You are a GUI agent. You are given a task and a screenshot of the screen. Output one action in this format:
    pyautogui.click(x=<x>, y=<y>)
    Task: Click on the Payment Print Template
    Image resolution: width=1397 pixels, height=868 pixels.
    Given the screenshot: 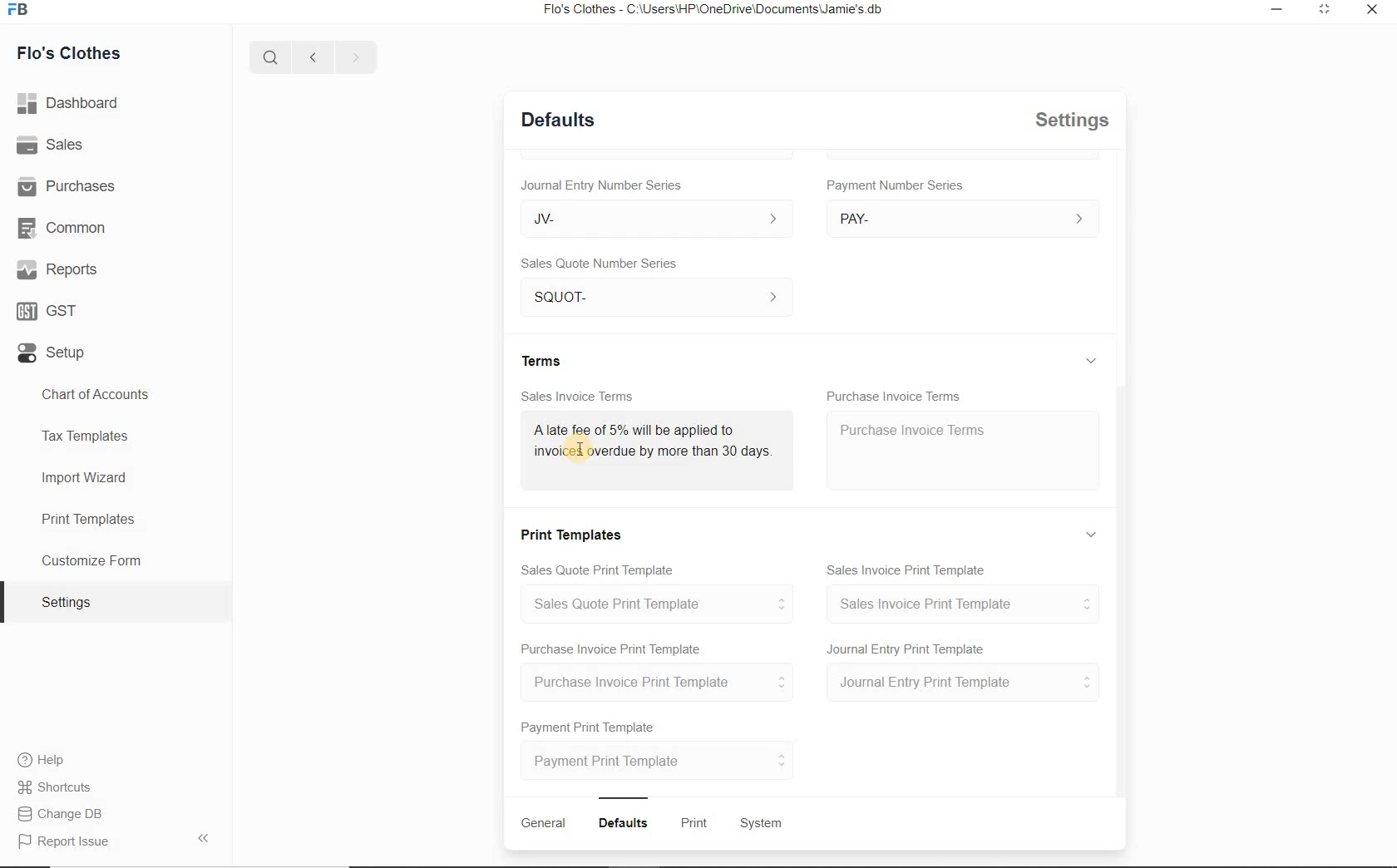 What is the action you would take?
    pyautogui.click(x=659, y=760)
    